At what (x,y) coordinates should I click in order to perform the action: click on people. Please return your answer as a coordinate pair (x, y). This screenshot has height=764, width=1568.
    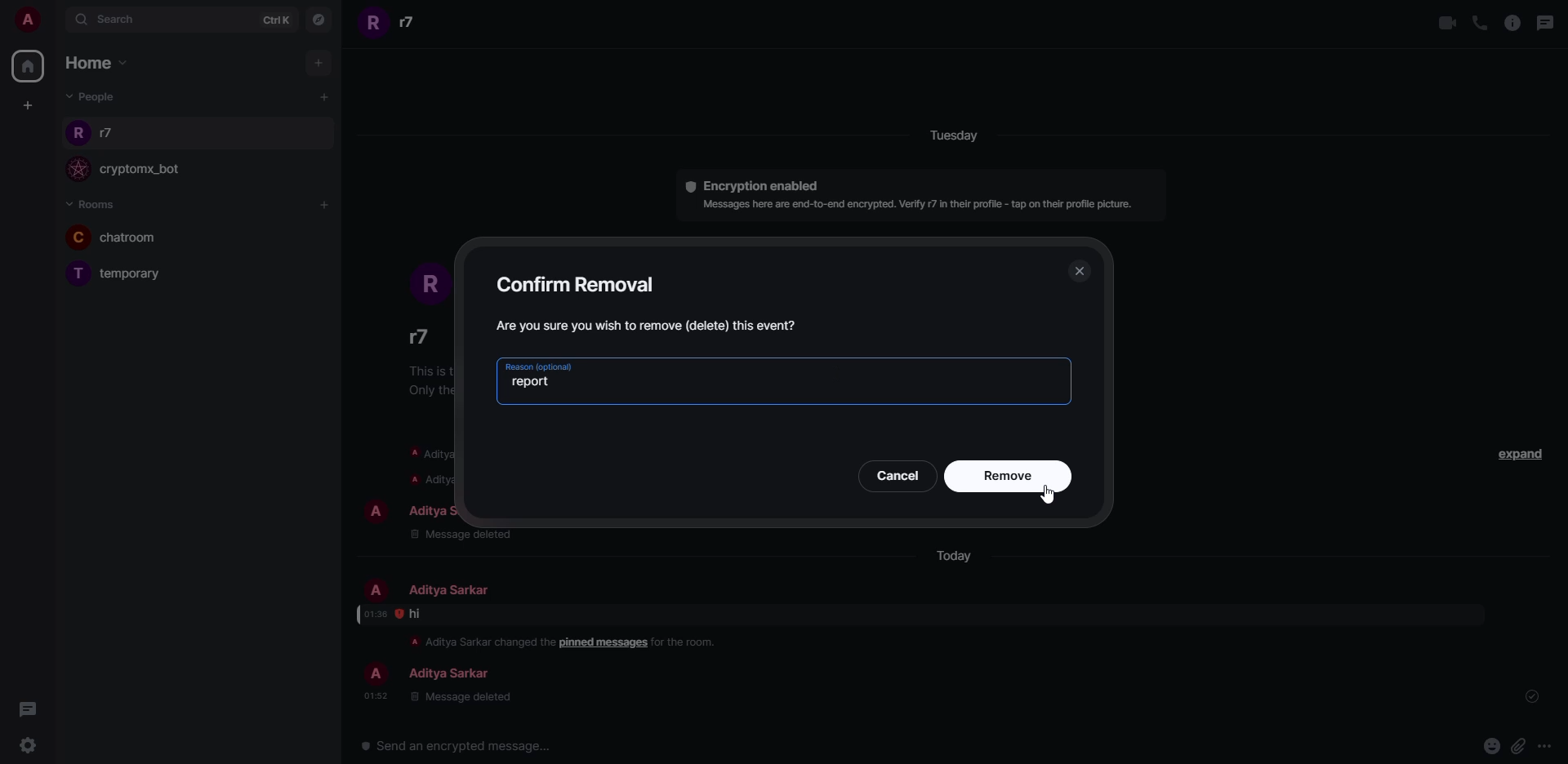
    Looking at the image, I should click on (113, 134).